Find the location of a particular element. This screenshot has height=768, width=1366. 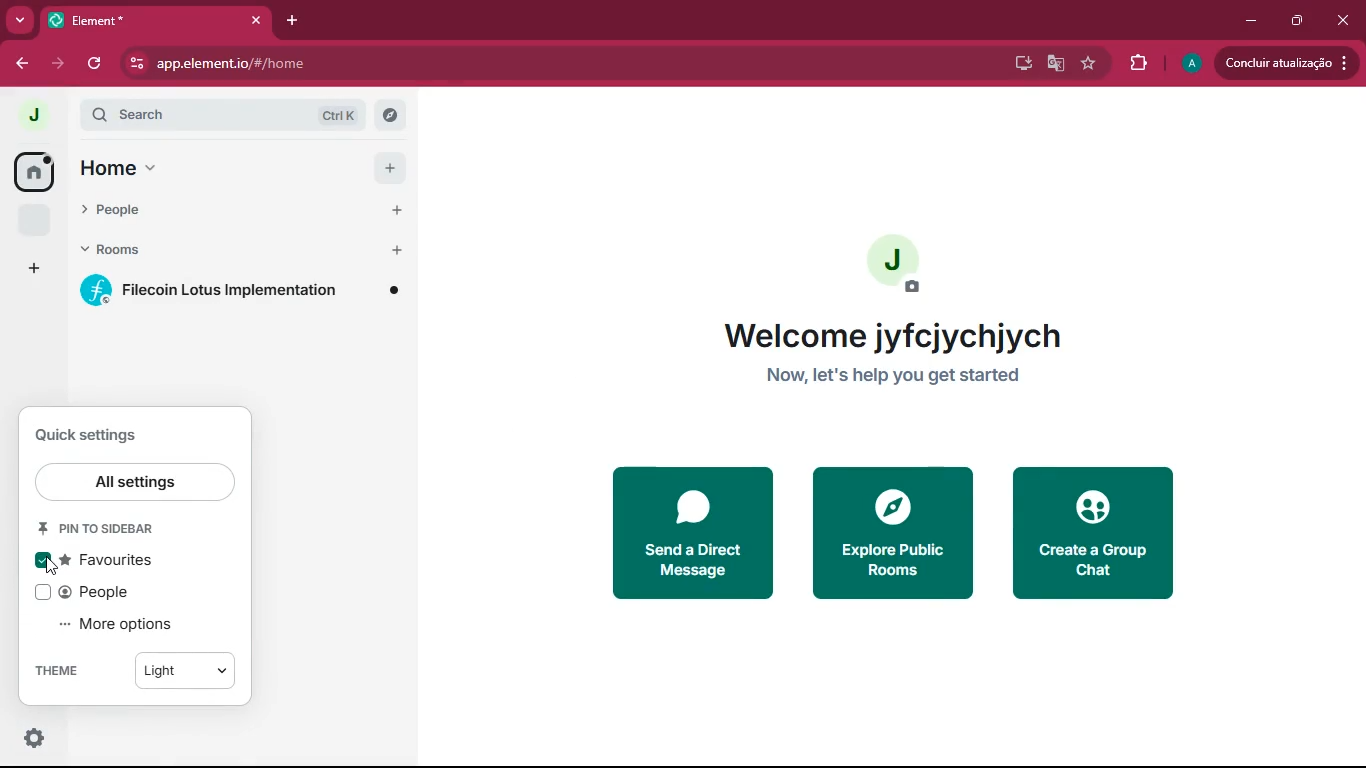

theme is located at coordinates (71, 670).